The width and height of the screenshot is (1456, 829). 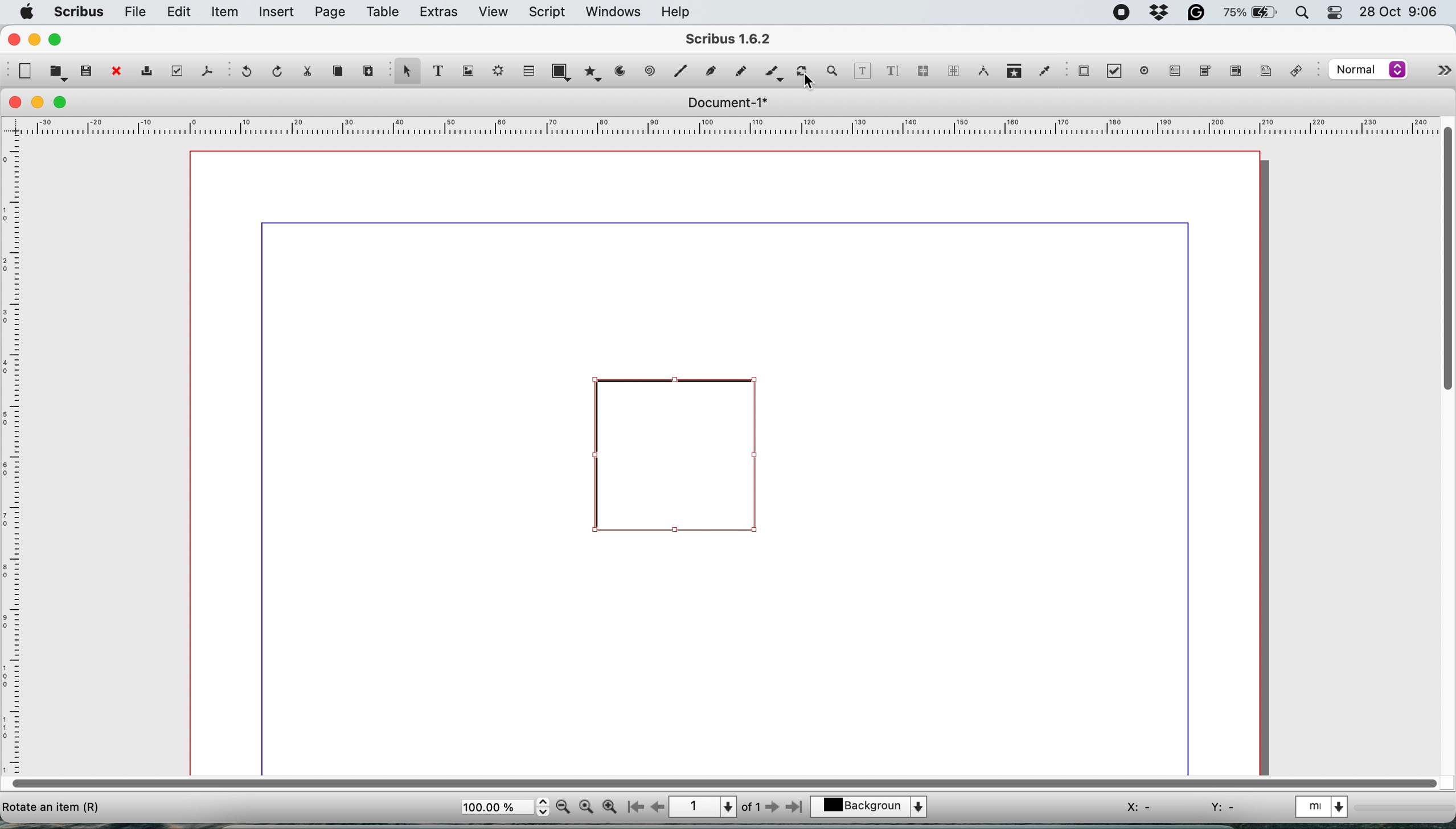 I want to click on go to first page, so click(x=634, y=807).